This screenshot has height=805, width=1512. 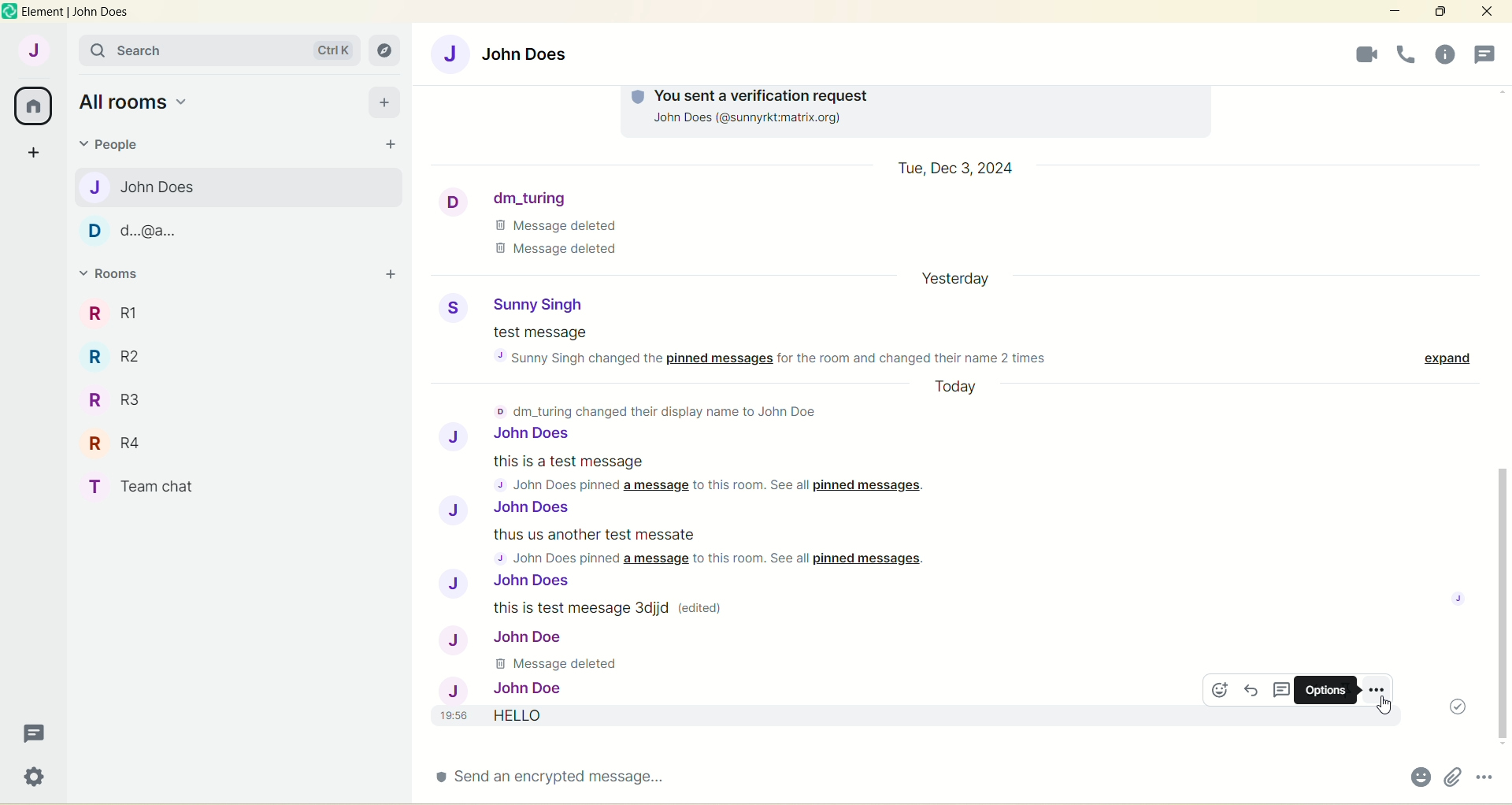 What do you see at coordinates (35, 154) in the screenshot?
I see `create a space` at bounding box center [35, 154].